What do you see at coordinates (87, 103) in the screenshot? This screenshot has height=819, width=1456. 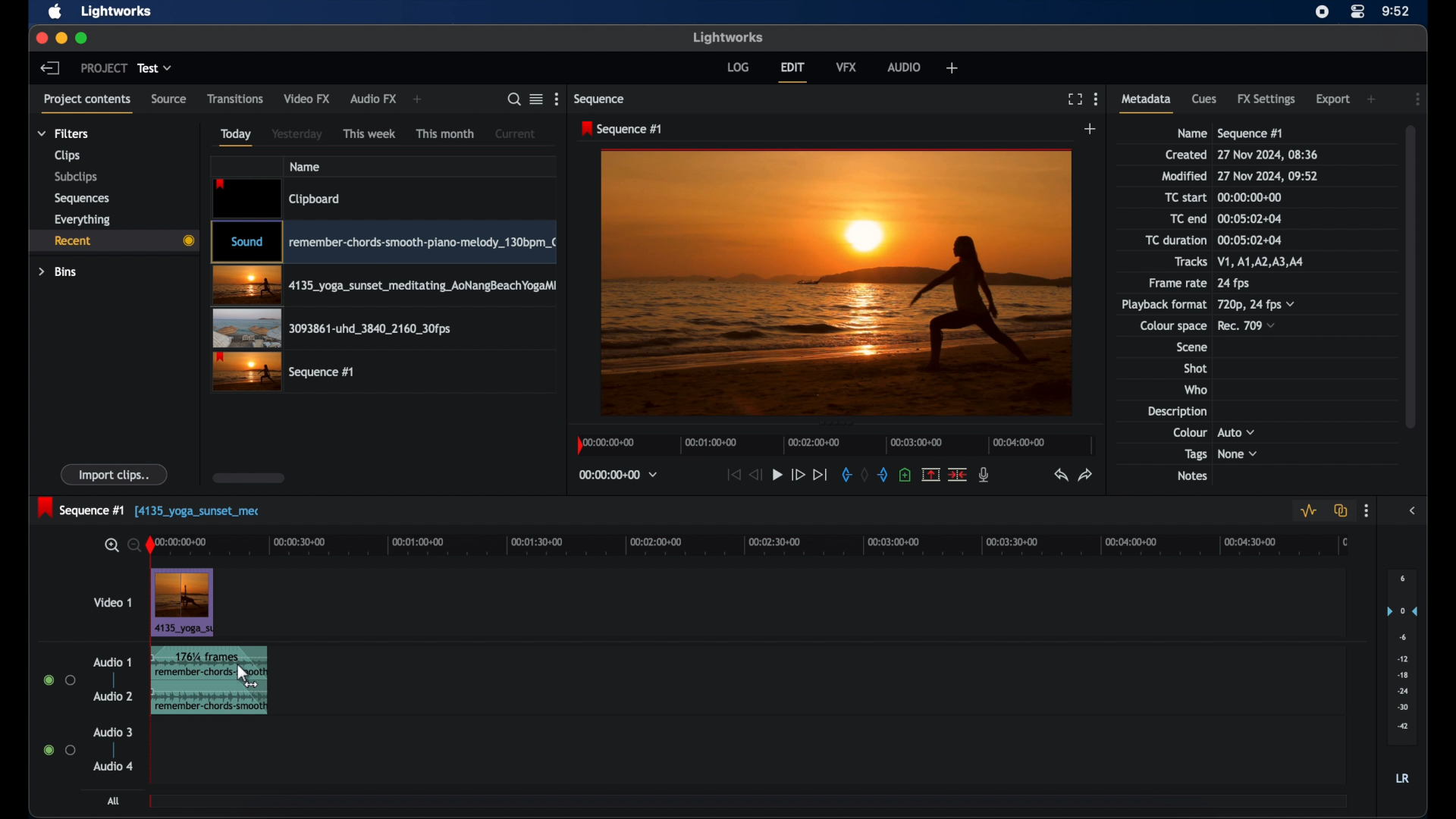 I see `project contents` at bounding box center [87, 103].